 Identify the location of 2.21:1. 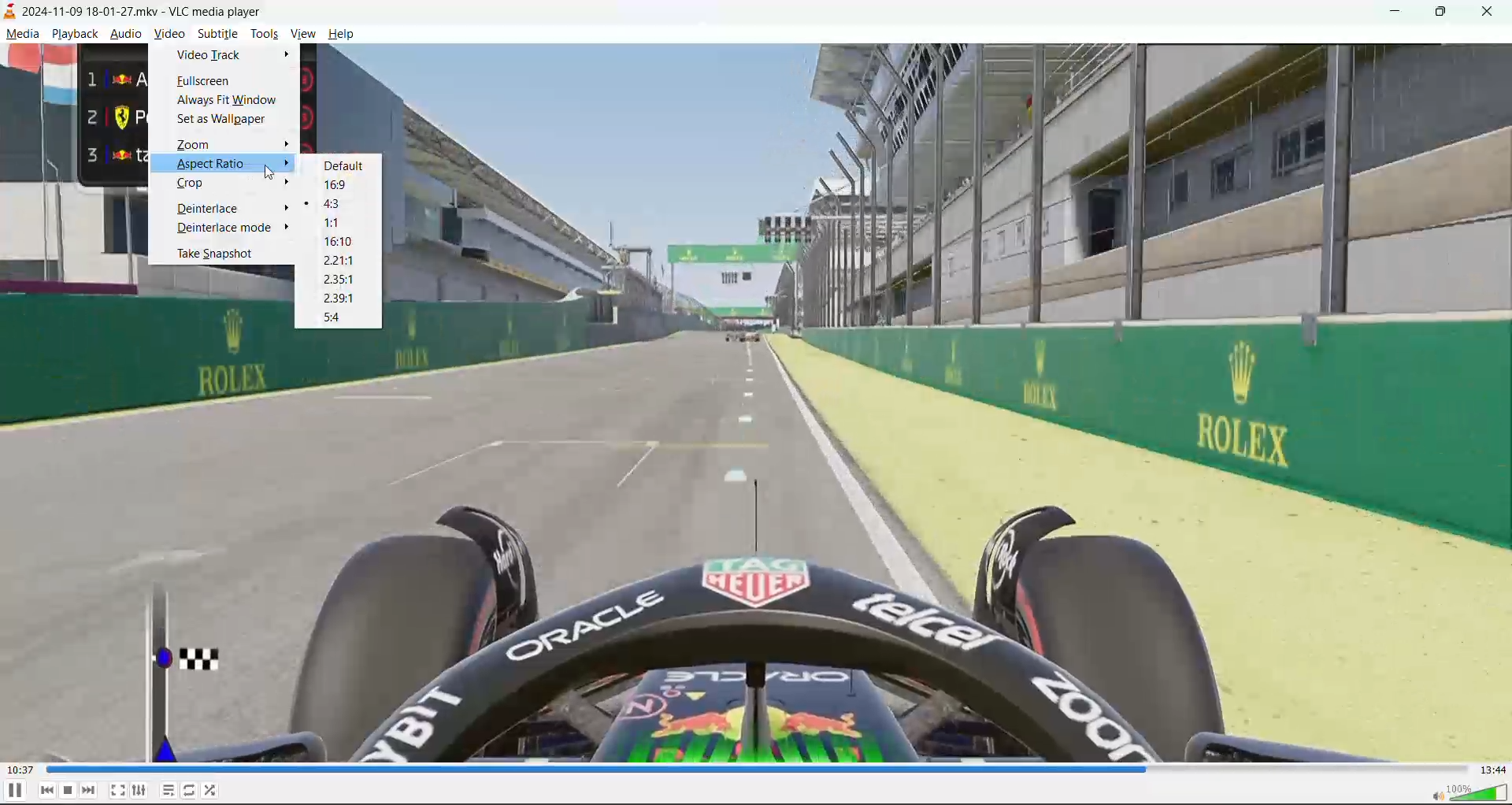
(345, 262).